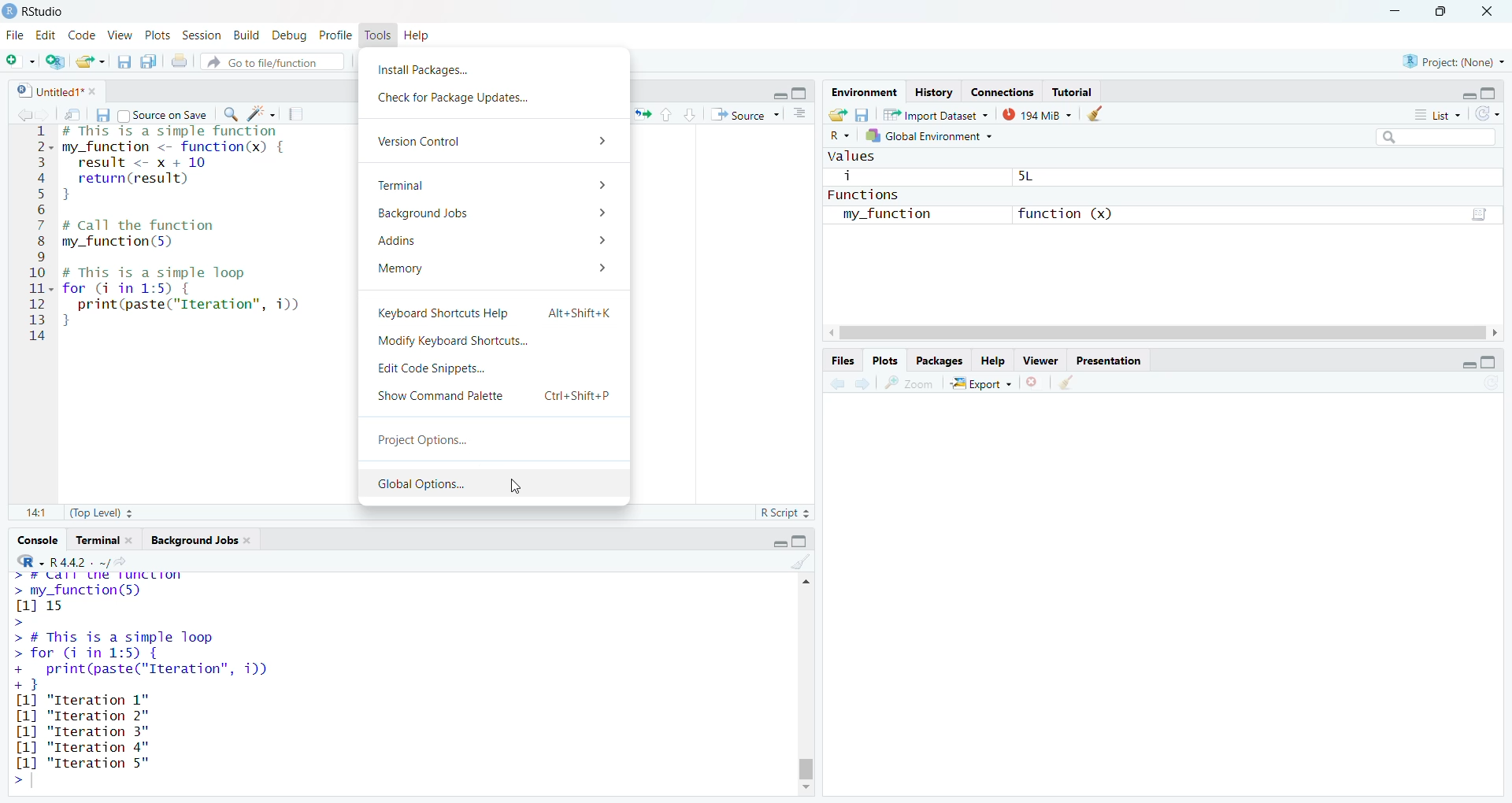  I want to click on Global Options..., so click(419, 485).